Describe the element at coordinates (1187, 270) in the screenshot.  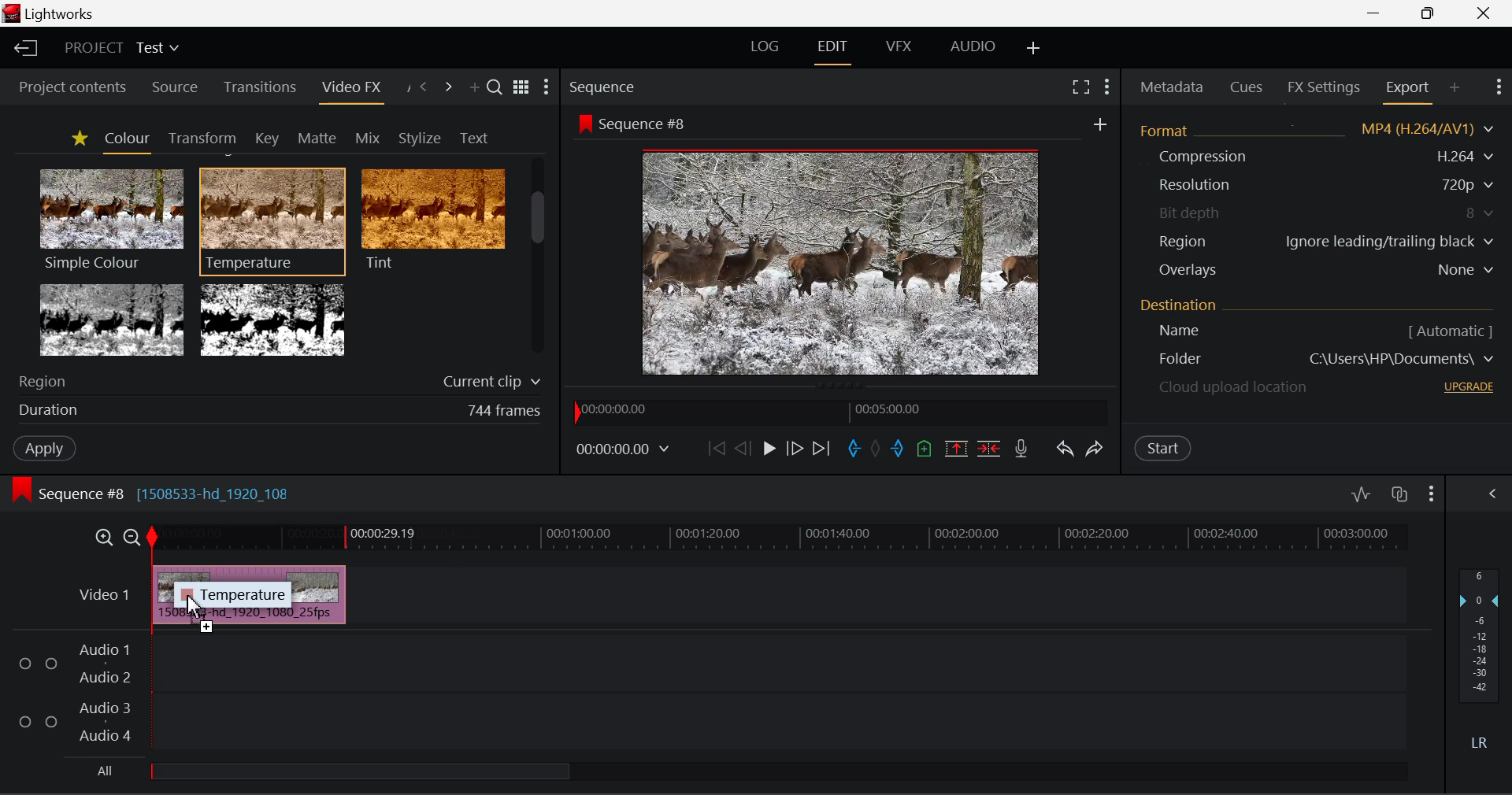
I see `Overlays` at that location.